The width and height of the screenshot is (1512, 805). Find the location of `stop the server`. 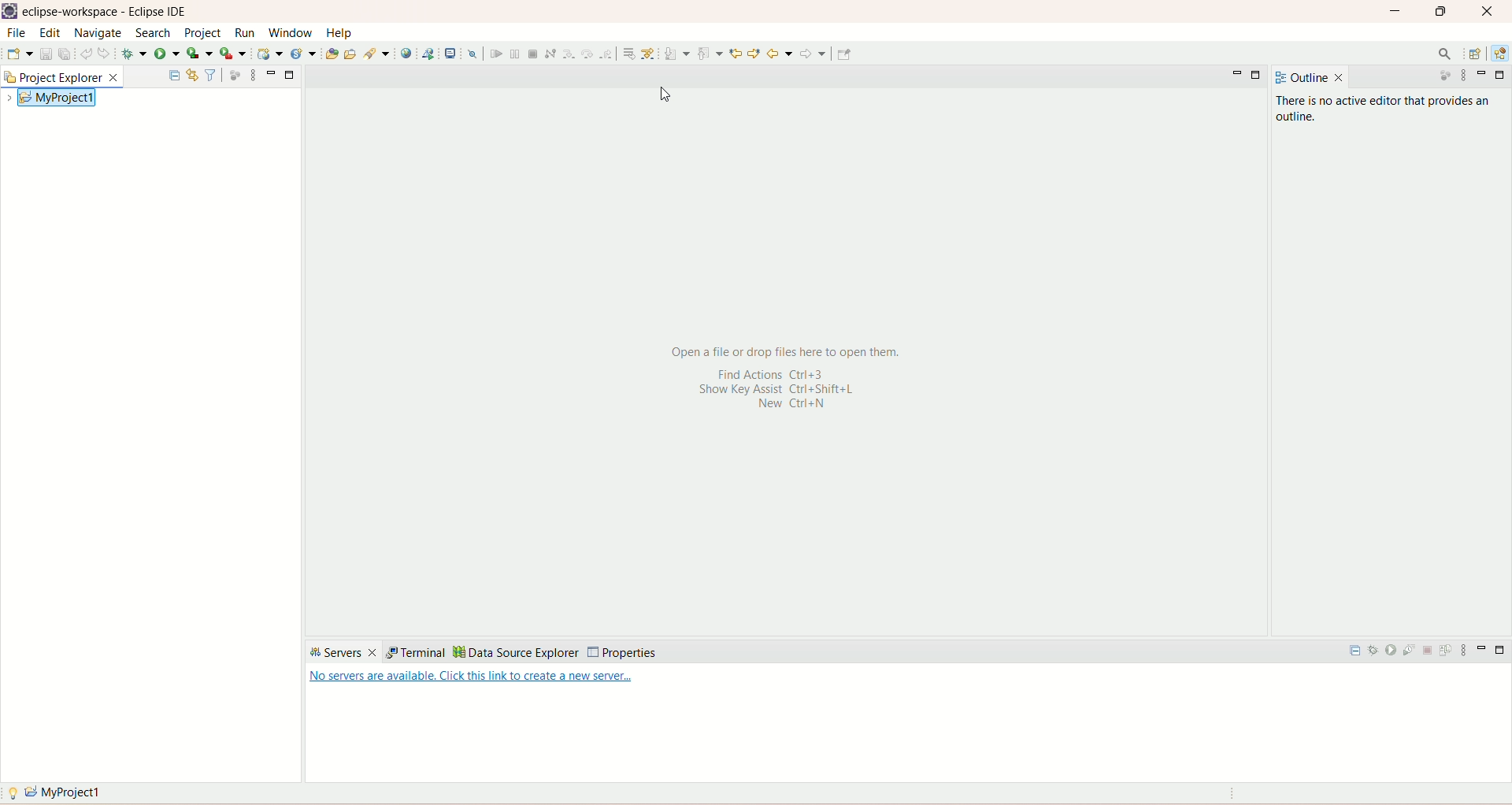

stop the server is located at coordinates (1430, 652).